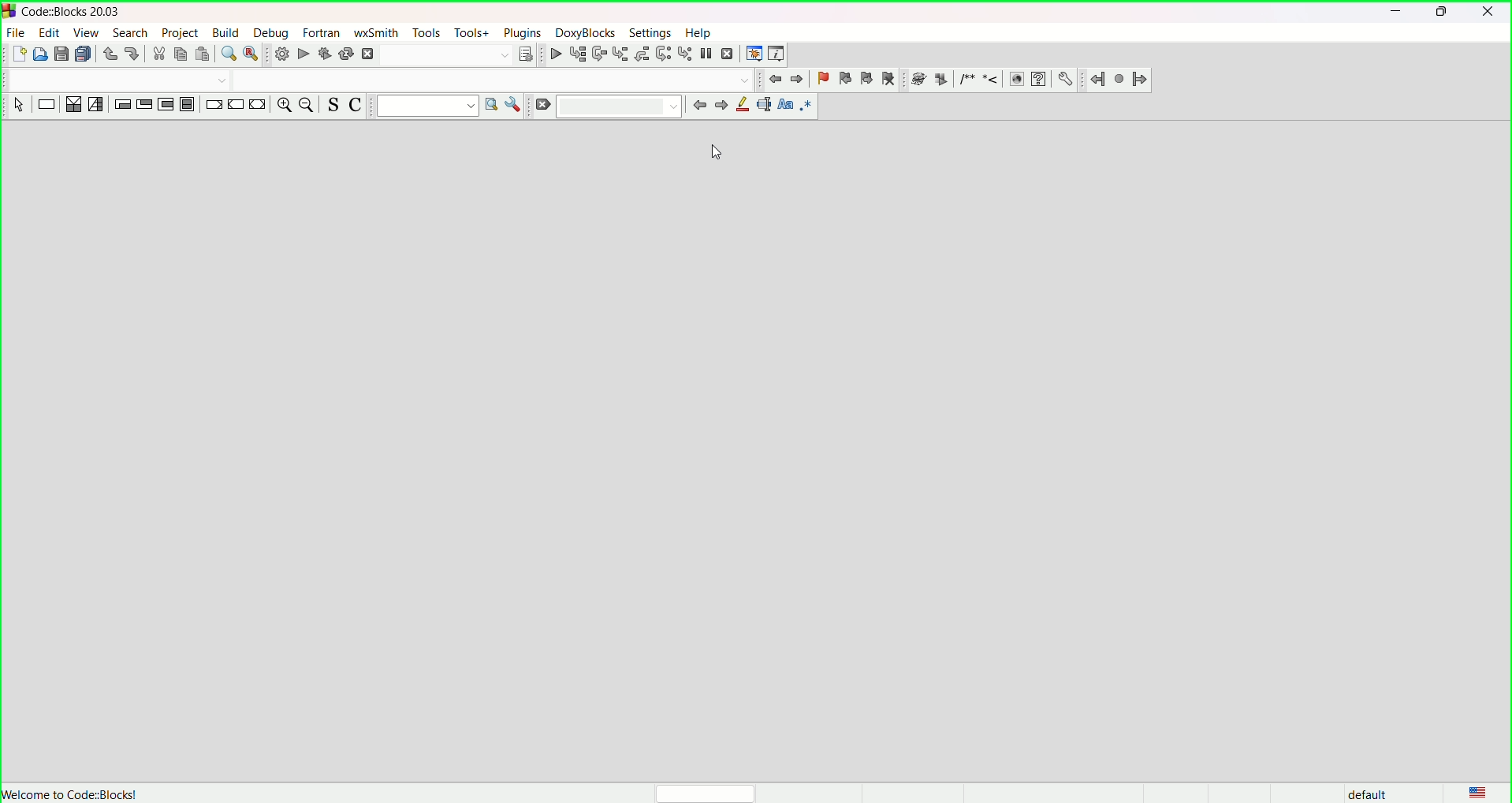 This screenshot has width=1512, height=803. I want to click on run to cursor, so click(579, 54).